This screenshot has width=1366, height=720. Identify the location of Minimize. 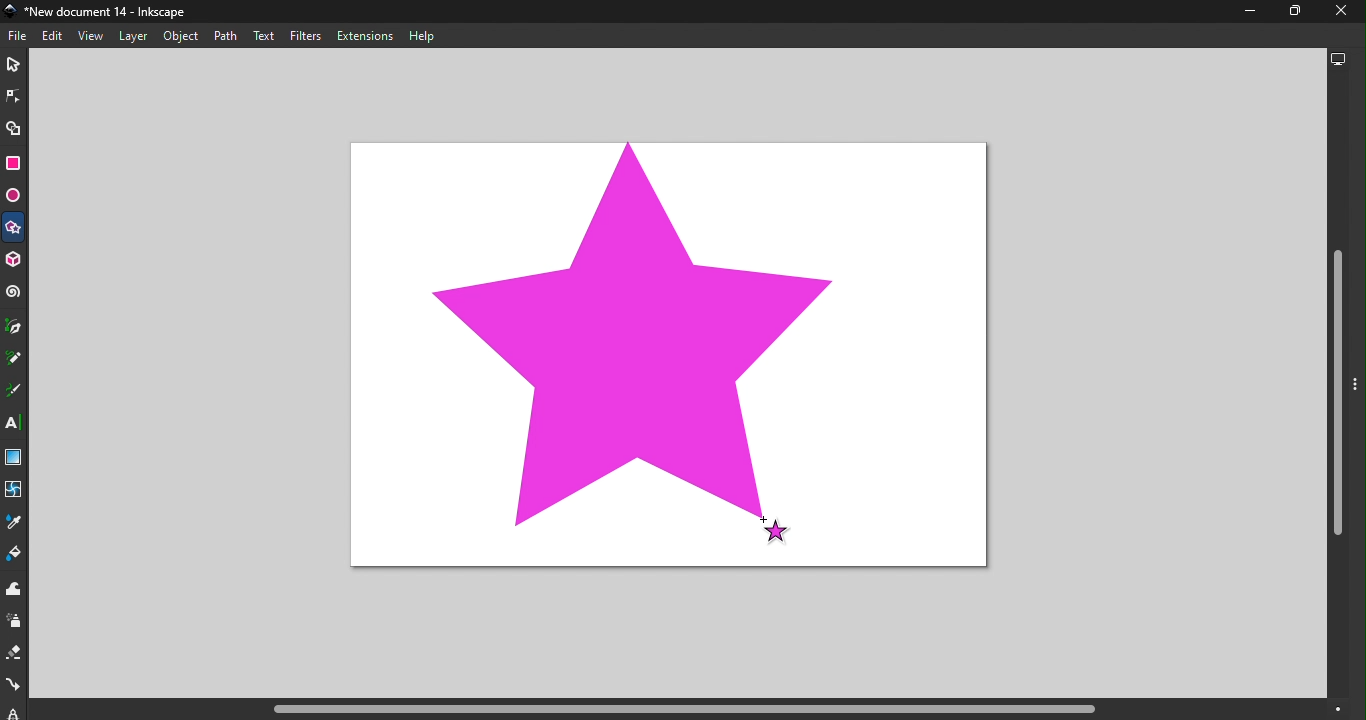
(1245, 15).